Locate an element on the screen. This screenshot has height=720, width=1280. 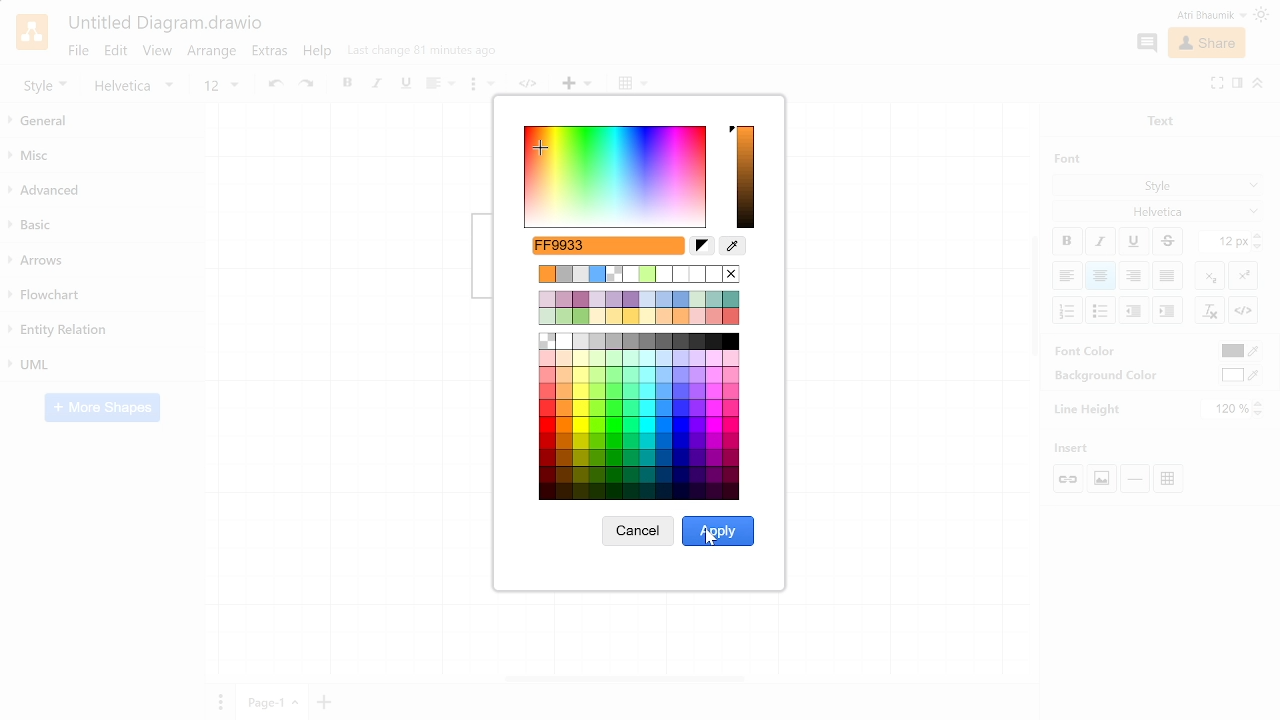
Drag.io logo is located at coordinates (31, 32).